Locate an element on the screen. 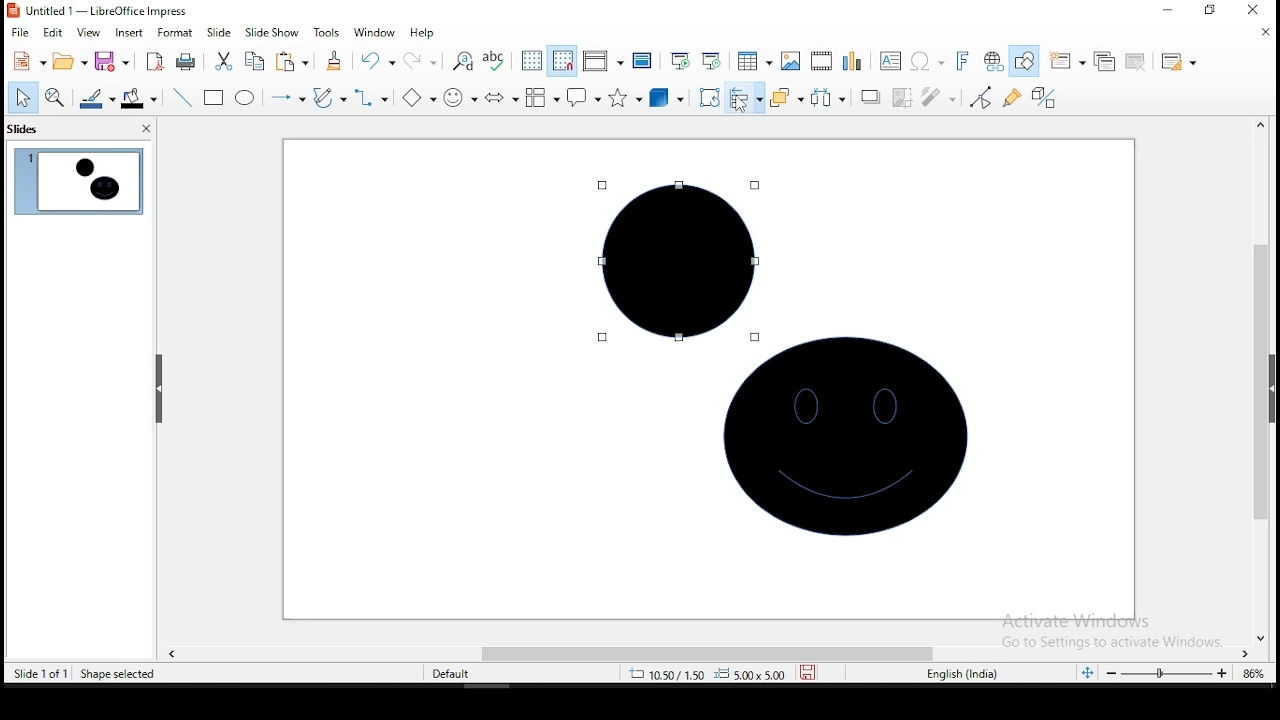  start from first slide is located at coordinates (680, 61).